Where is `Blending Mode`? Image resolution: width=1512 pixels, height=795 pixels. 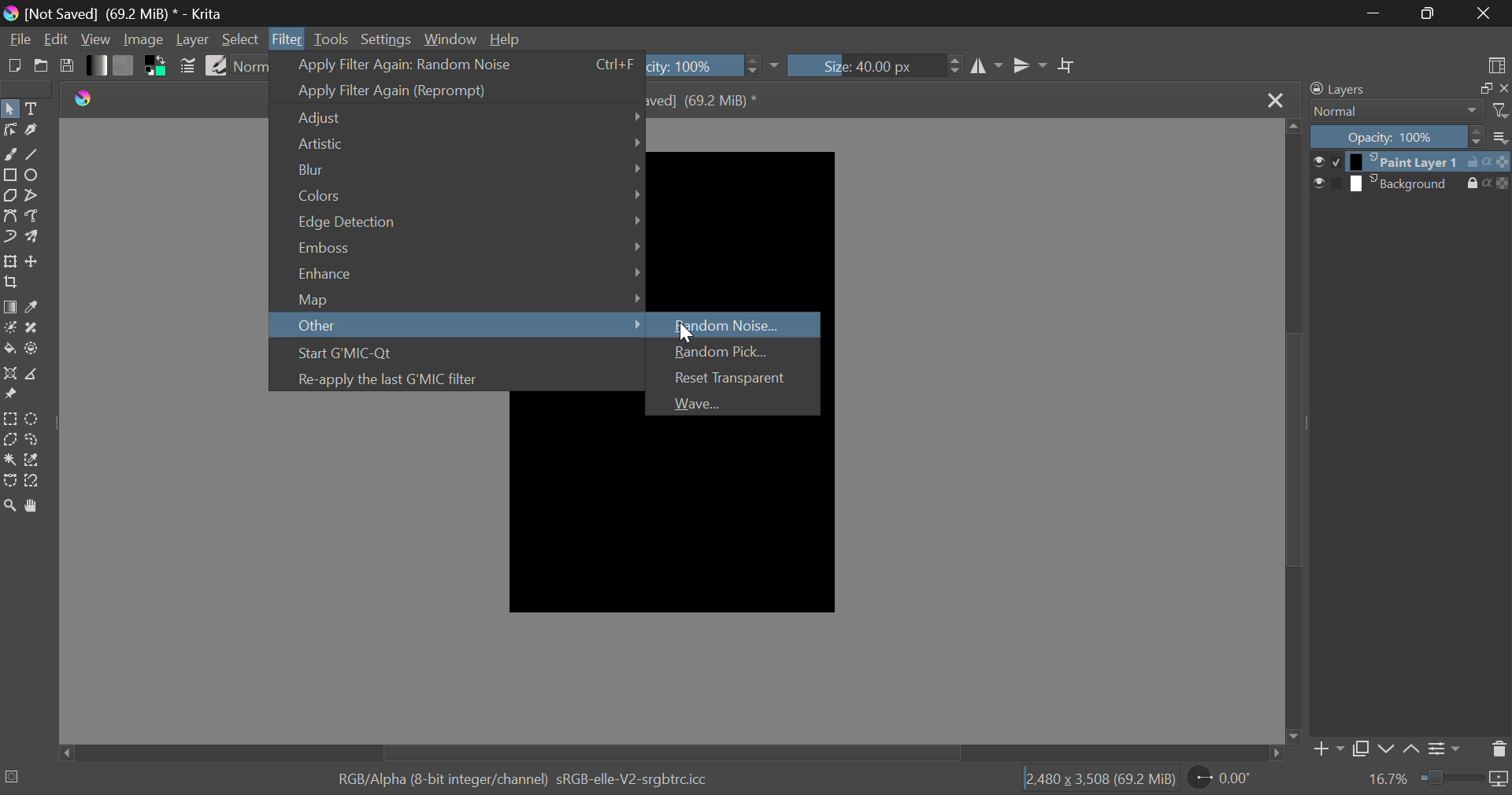 Blending Mode is located at coordinates (1394, 112).